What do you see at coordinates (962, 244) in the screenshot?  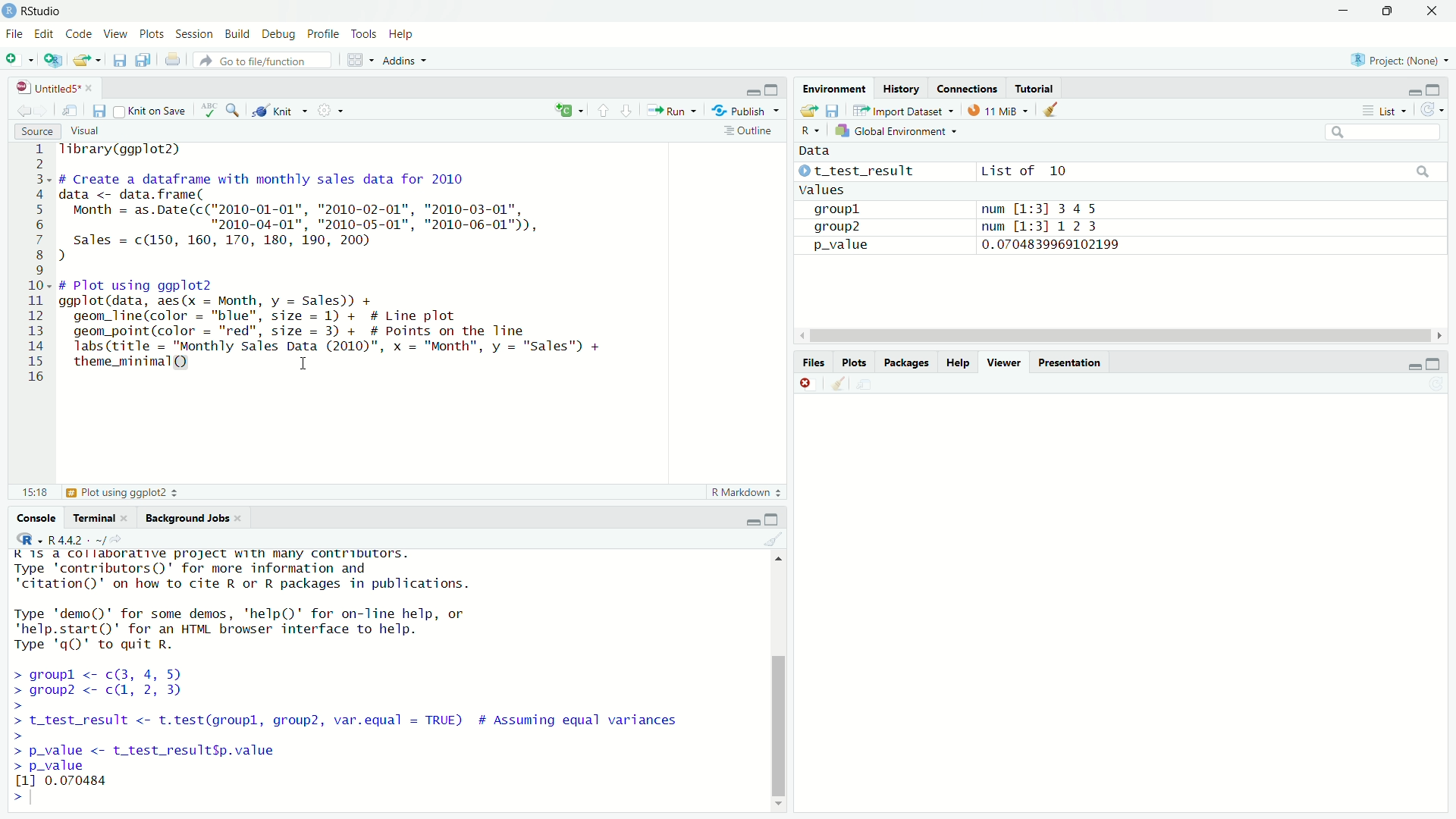 I see `p_value 0.0704839969102199` at bounding box center [962, 244].